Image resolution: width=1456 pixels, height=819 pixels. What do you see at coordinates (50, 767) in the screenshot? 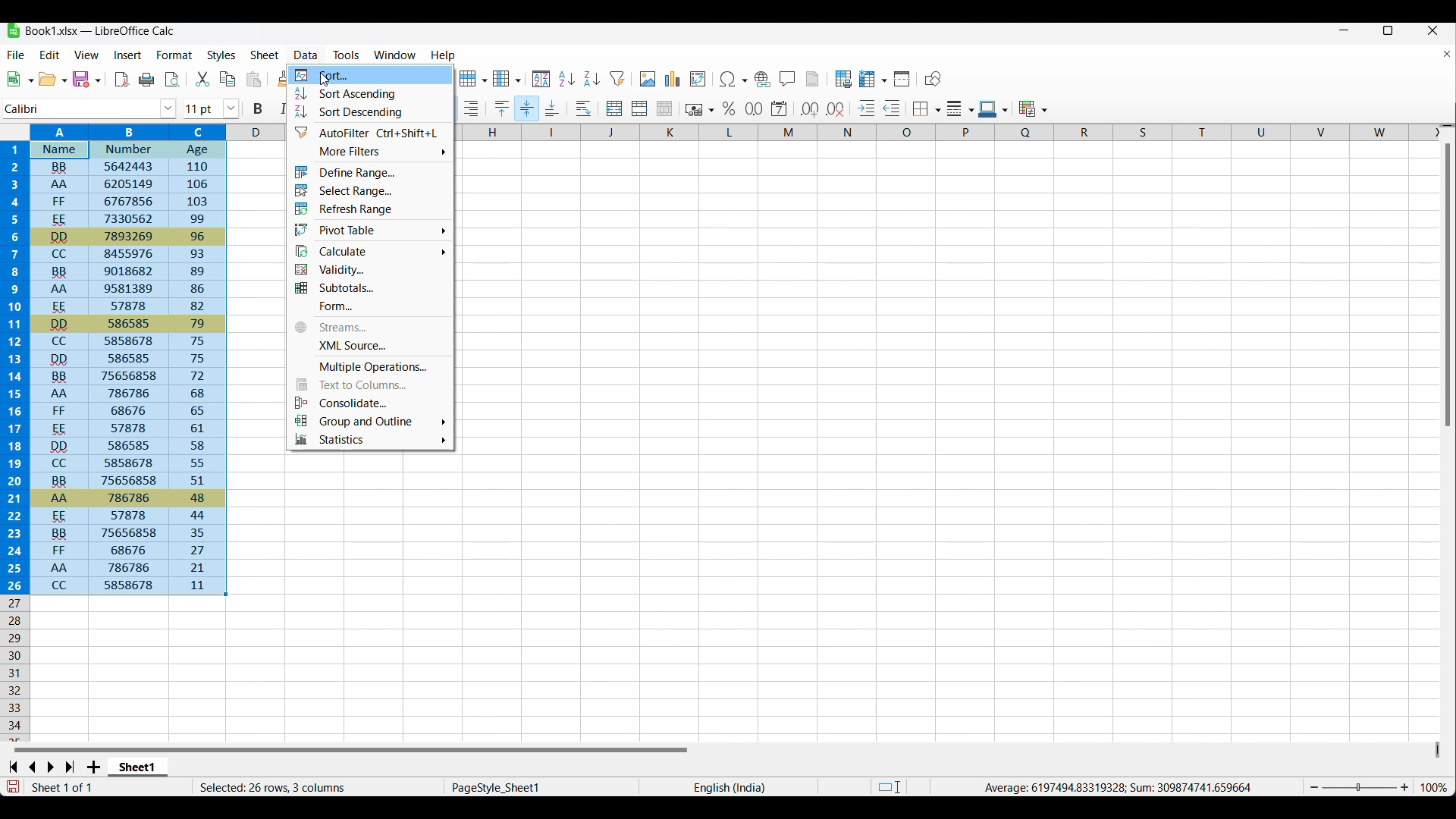
I see `Go to next sheet` at bounding box center [50, 767].